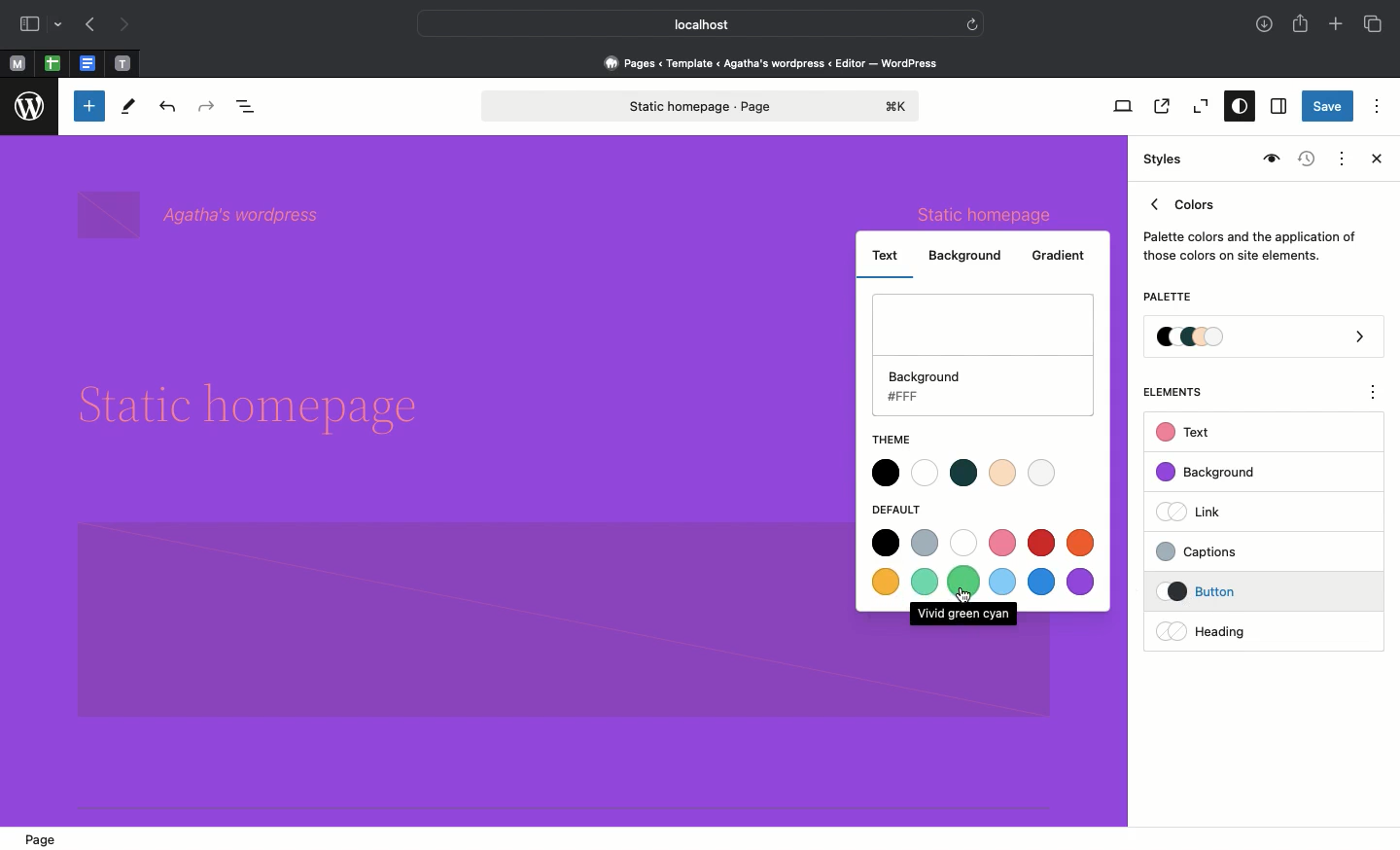 The width and height of the screenshot is (1400, 850). Describe the element at coordinates (1198, 107) in the screenshot. I see `Zoom out` at that location.